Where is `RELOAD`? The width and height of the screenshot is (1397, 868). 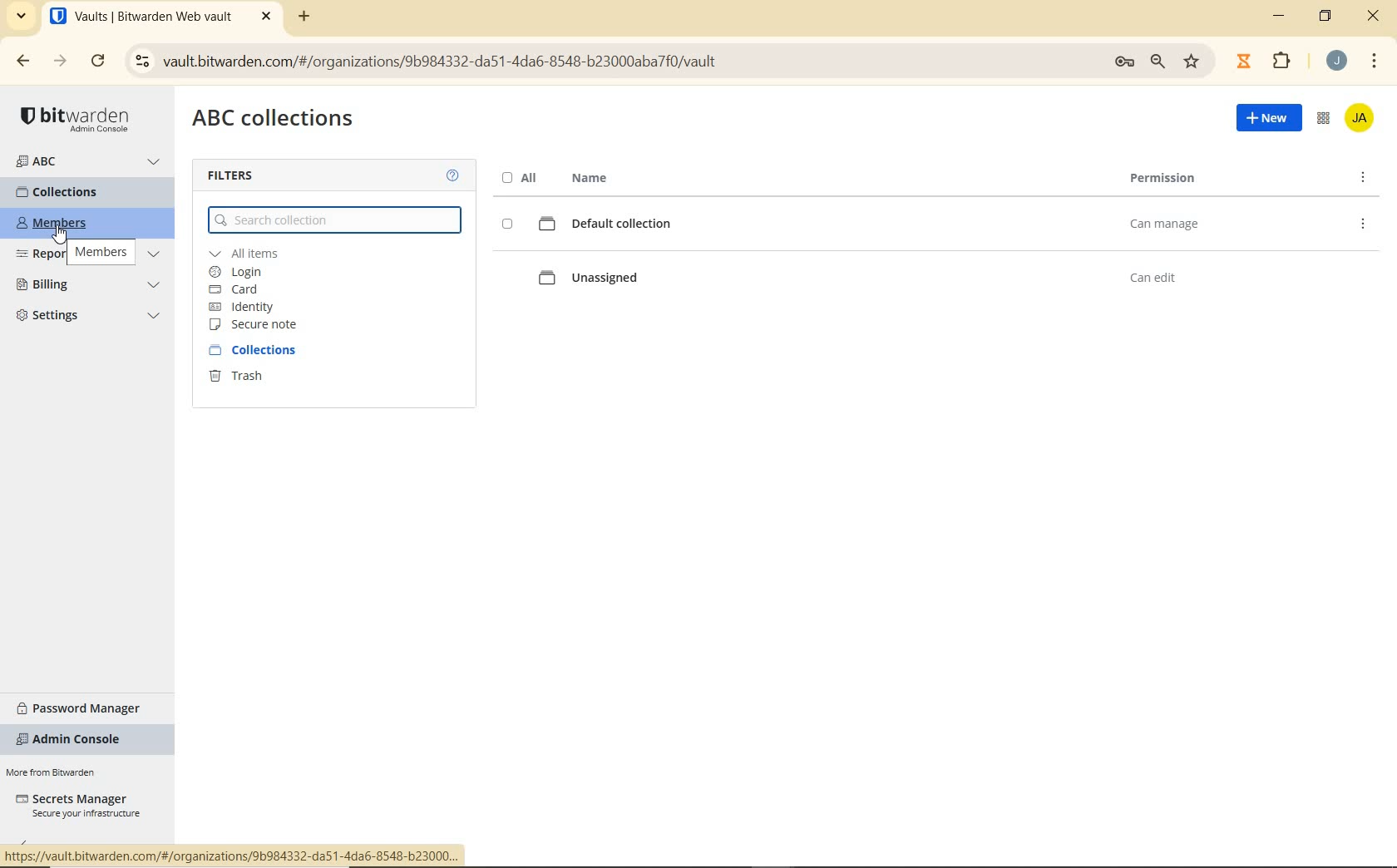 RELOAD is located at coordinates (98, 62).